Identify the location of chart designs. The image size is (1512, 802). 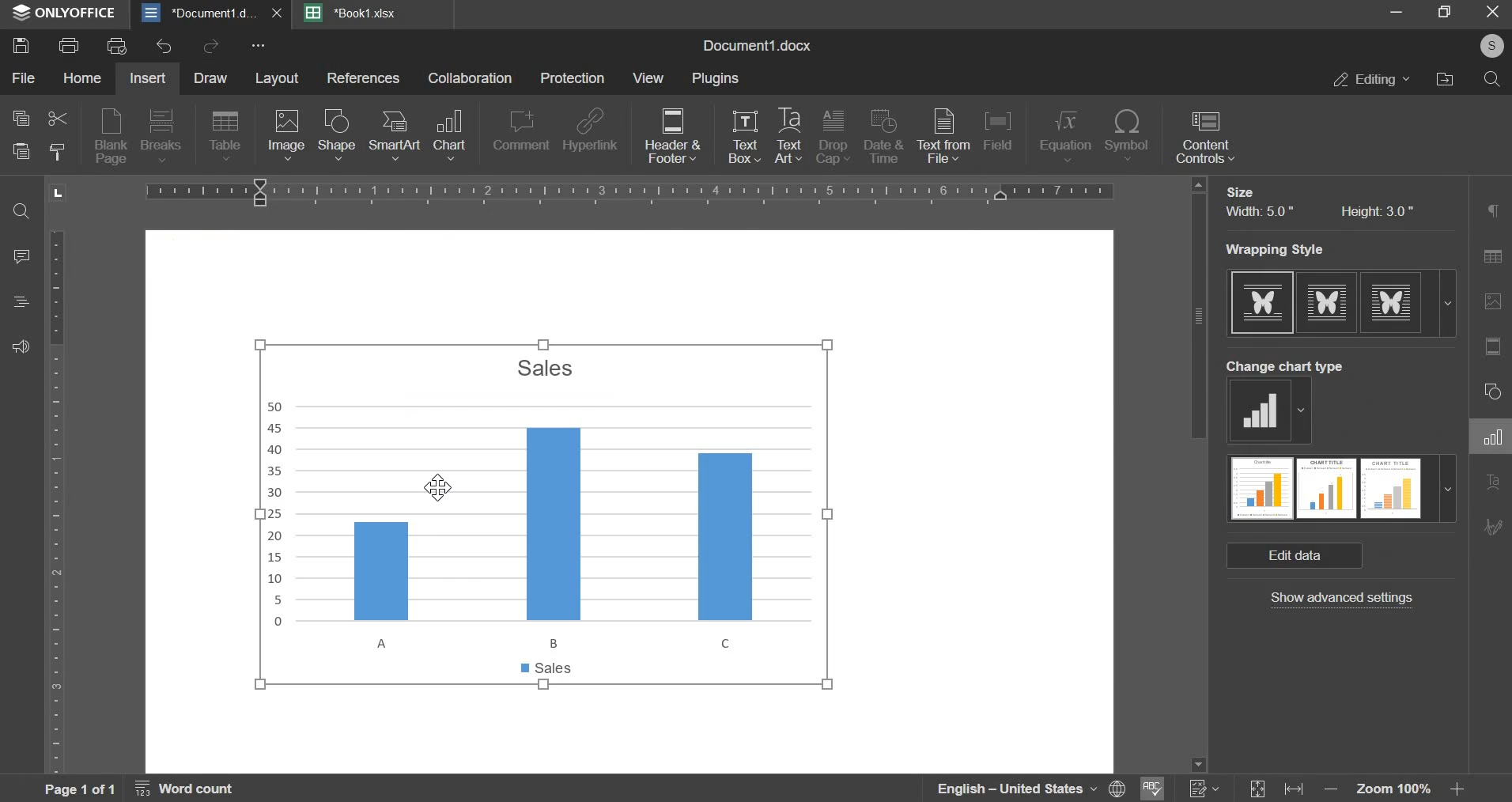
(1341, 489).